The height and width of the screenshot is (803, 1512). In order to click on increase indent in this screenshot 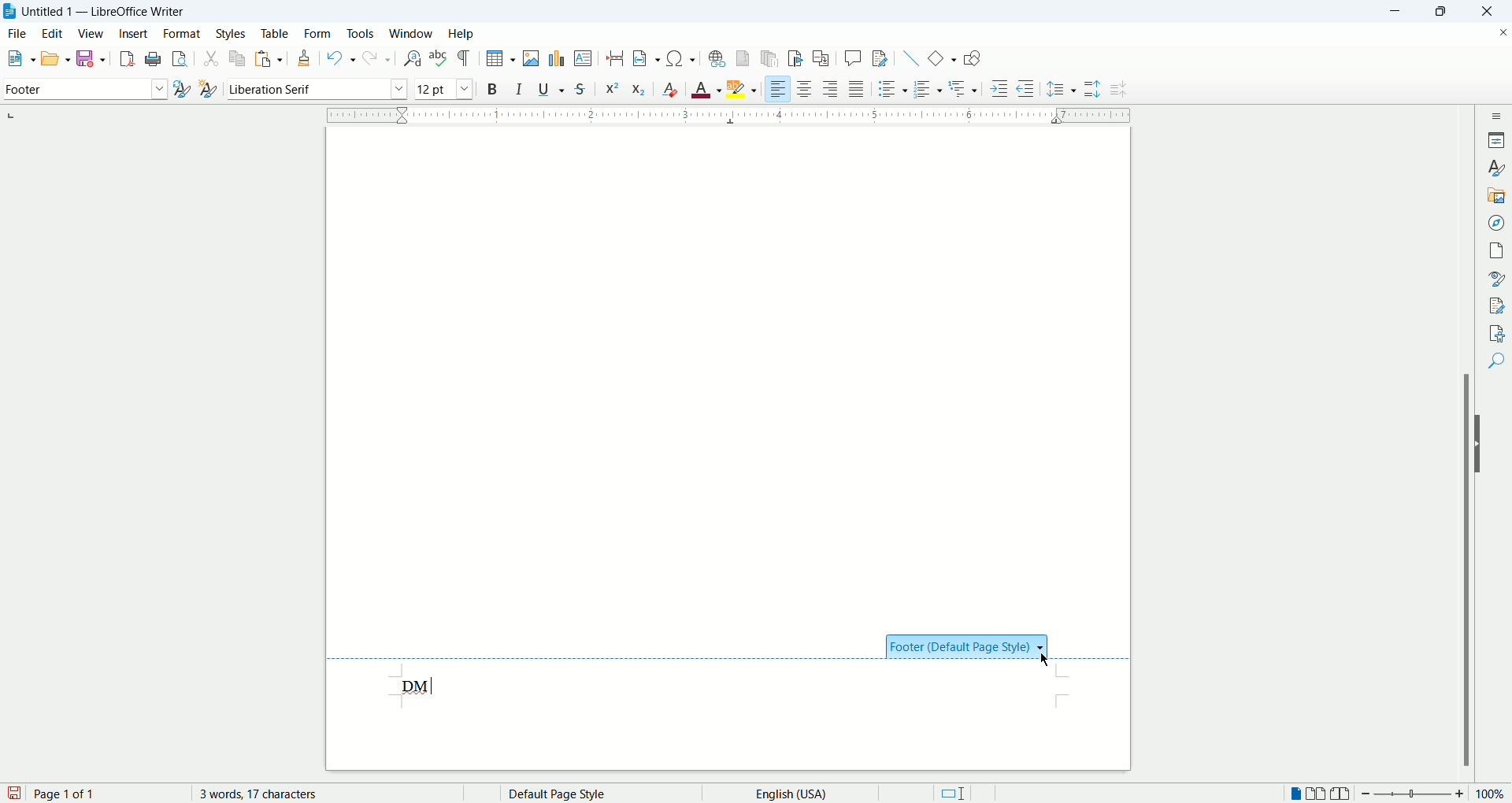, I will do `click(1000, 88)`.